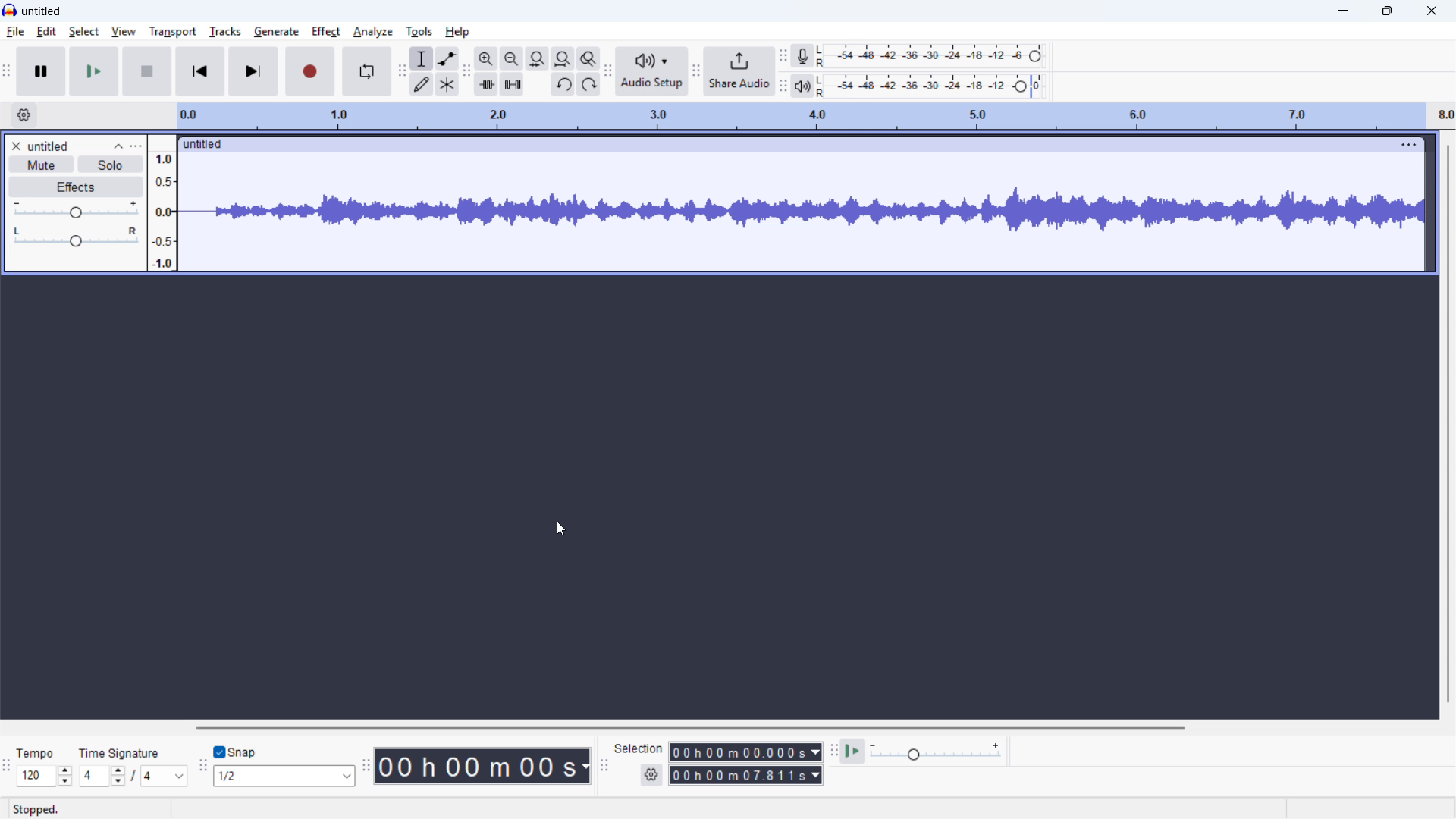 The image size is (1456, 819). I want to click on Fit selection to width, so click(537, 59).